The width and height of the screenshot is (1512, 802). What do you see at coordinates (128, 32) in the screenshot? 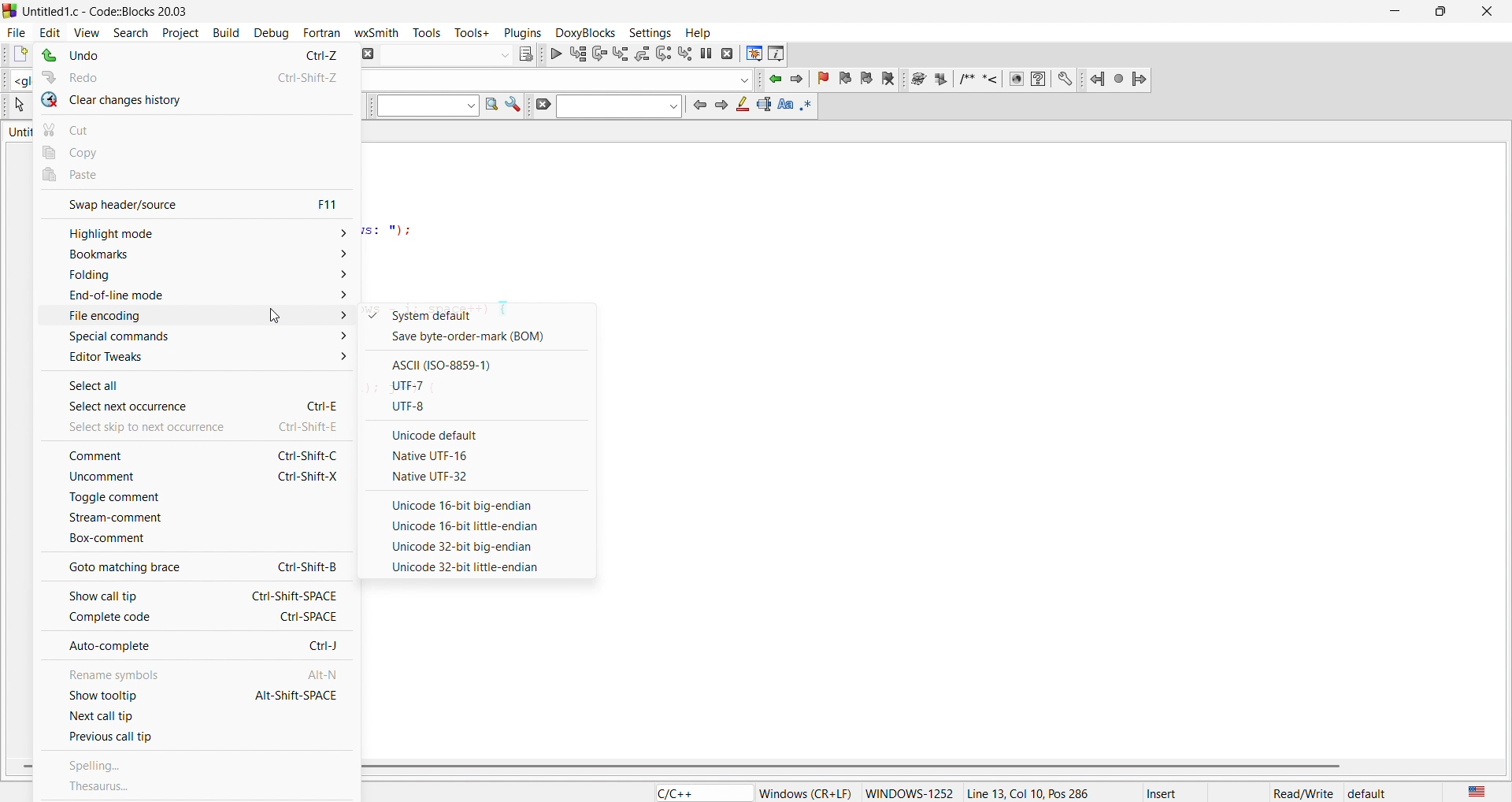
I see `search` at bounding box center [128, 32].